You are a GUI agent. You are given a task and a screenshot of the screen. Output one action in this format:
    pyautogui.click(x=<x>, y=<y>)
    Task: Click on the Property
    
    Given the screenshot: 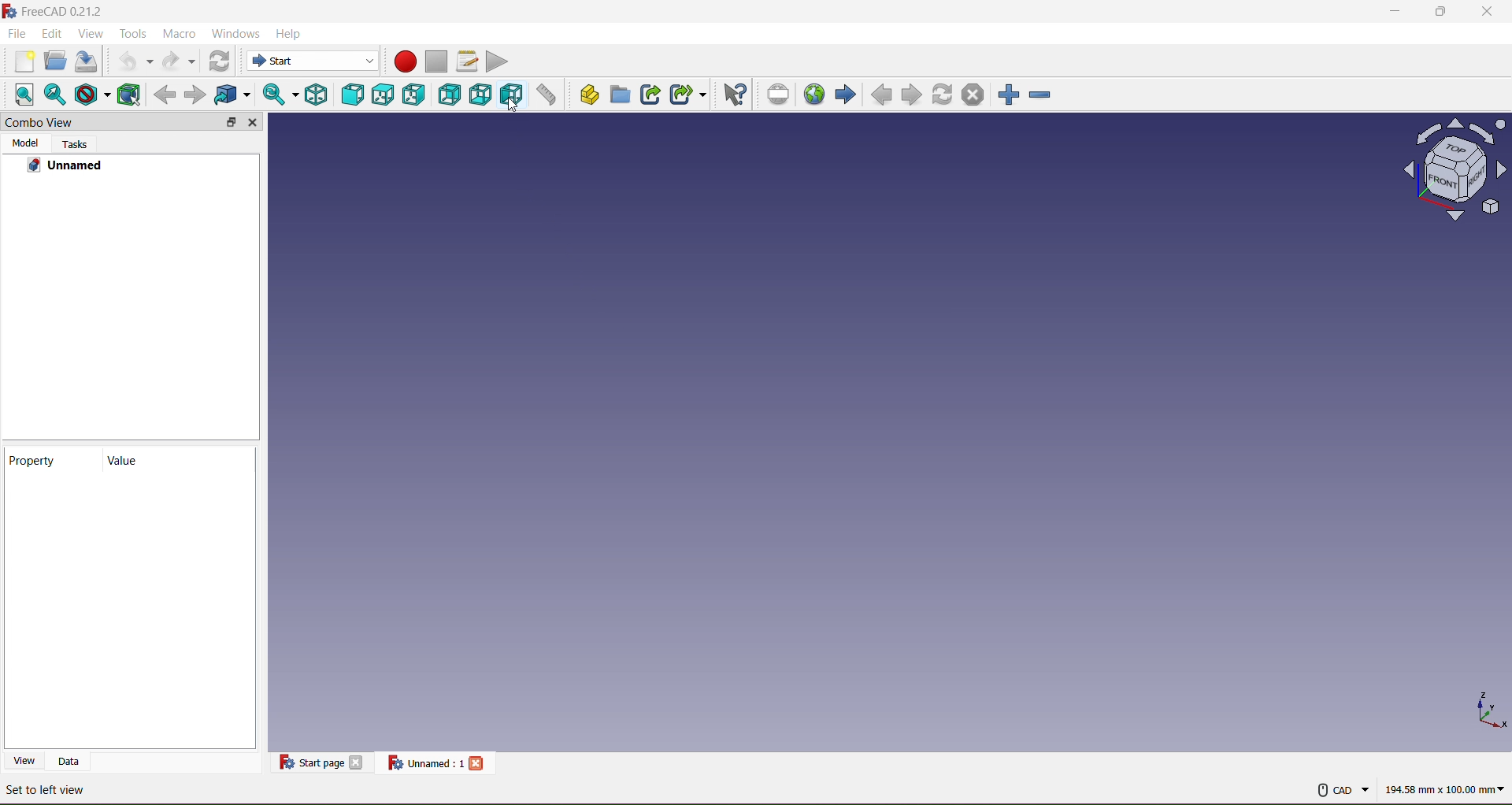 What is the action you would take?
    pyautogui.click(x=49, y=459)
    